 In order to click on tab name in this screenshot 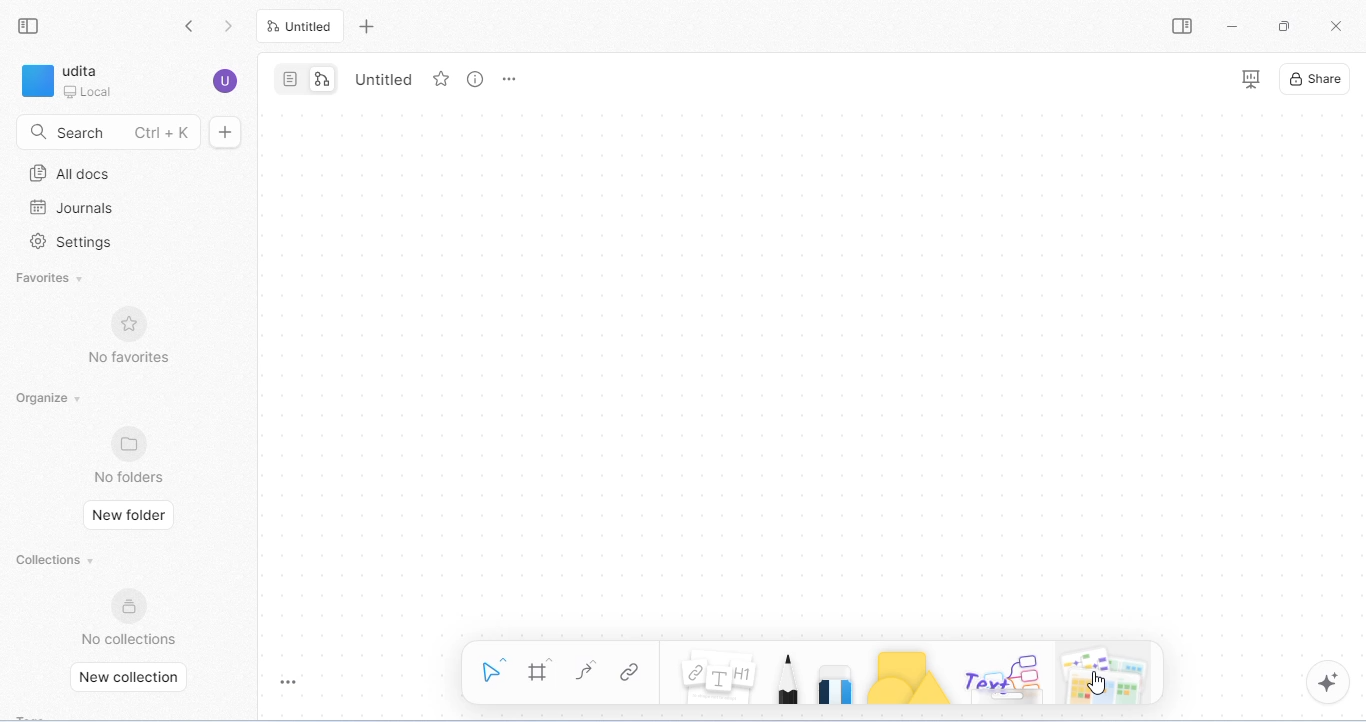, I will do `click(381, 78)`.